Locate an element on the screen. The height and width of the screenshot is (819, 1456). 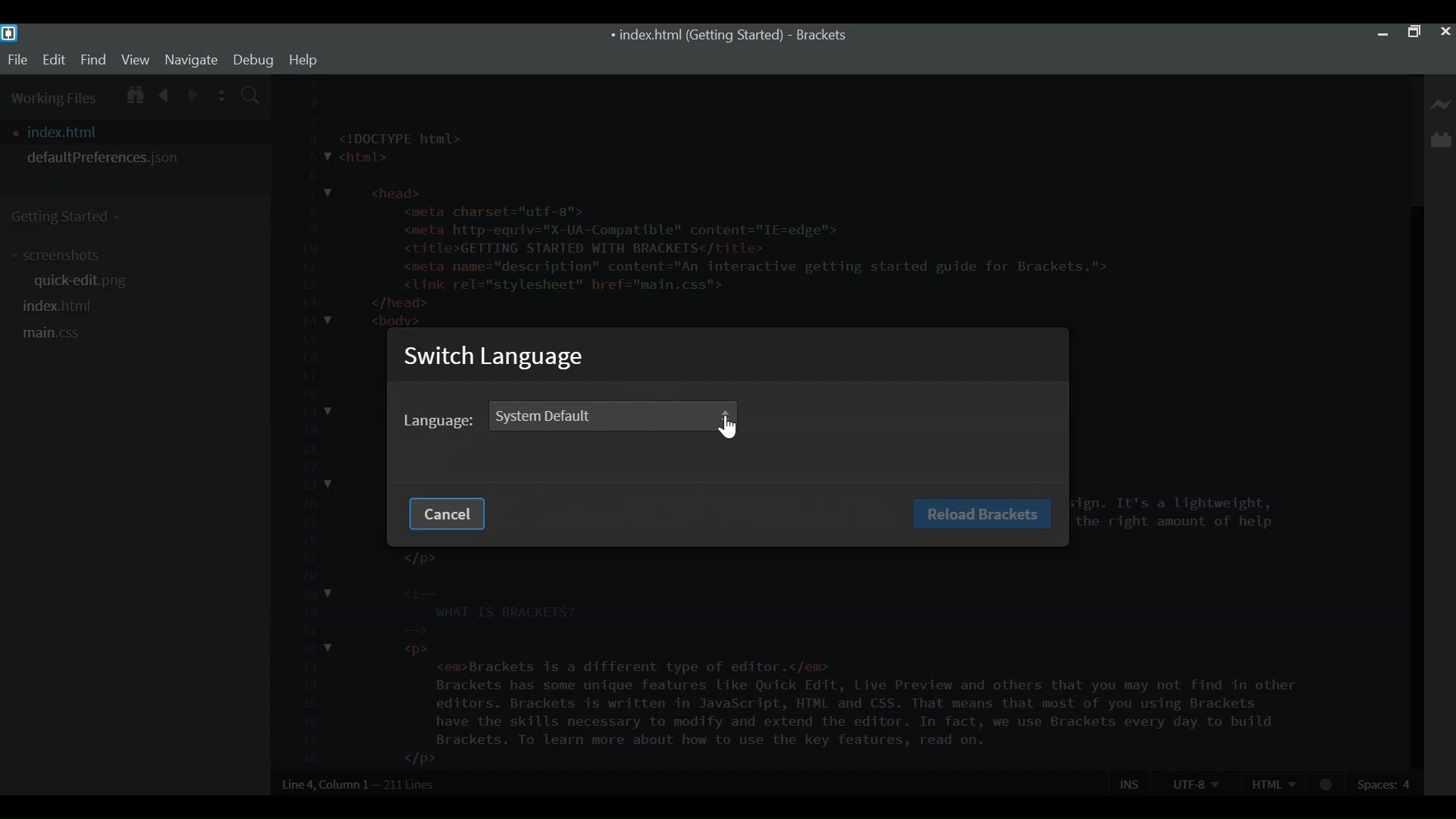
Restore is located at coordinates (1413, 33).